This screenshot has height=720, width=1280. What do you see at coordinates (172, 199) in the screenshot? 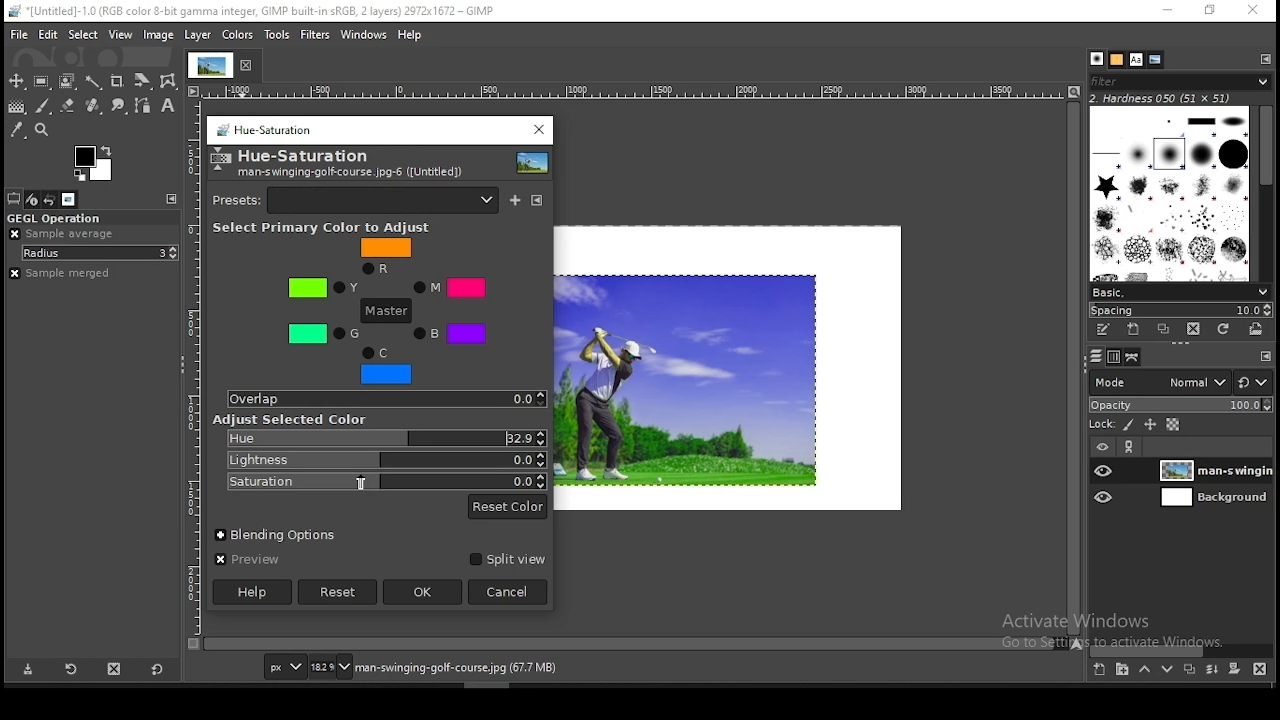
I see `configure this tab` at bounding box center [172, 199].